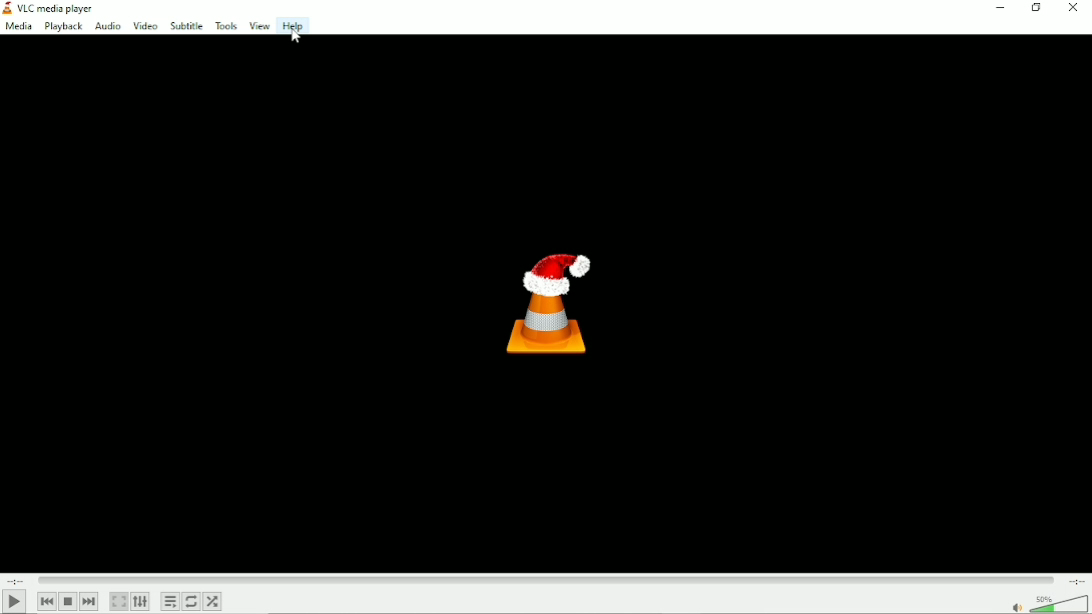 The image size is (1092, 614). I want to click on Video, so click(146, 26).